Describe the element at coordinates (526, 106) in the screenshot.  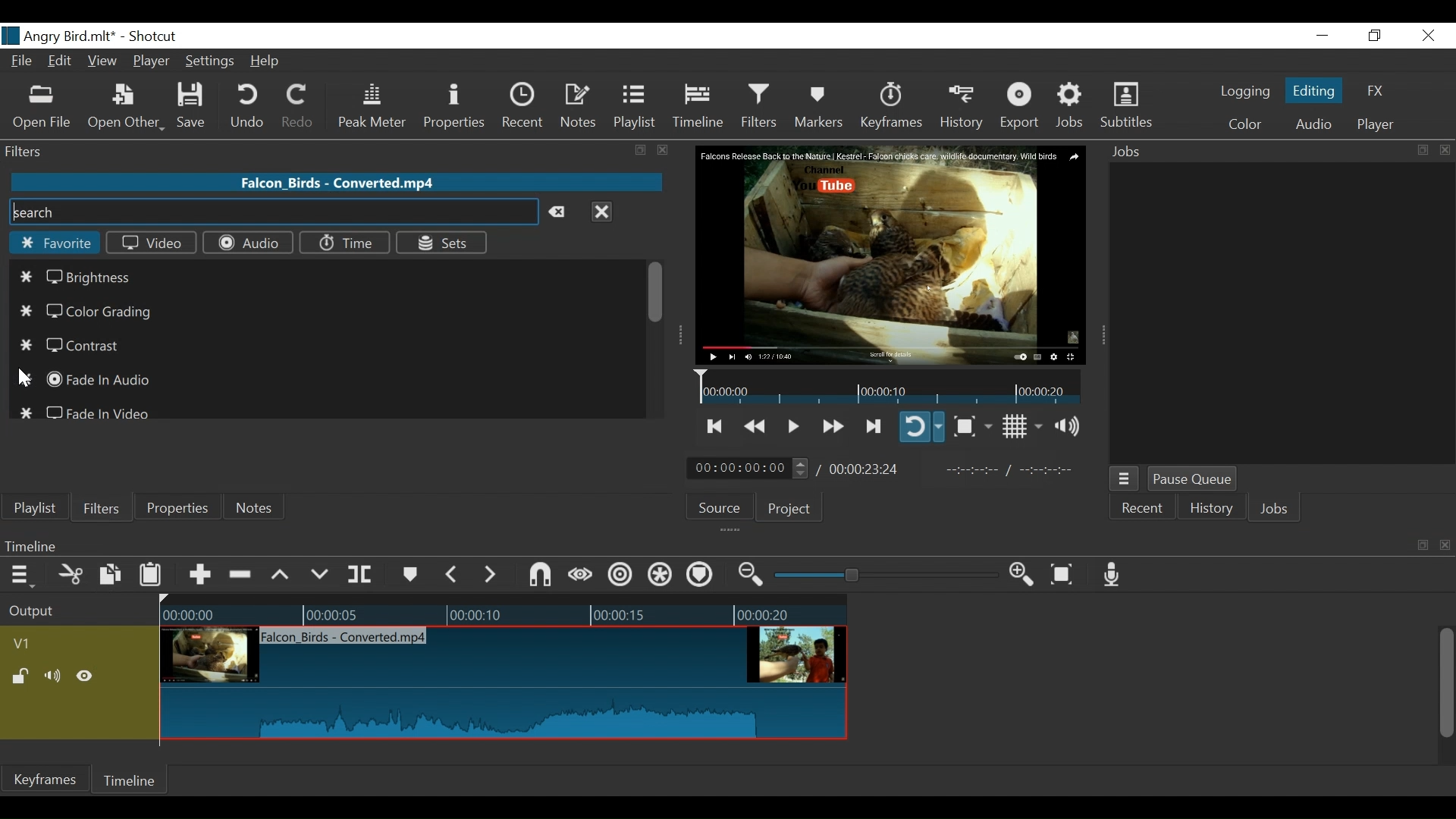
I see `Recent` at that location.